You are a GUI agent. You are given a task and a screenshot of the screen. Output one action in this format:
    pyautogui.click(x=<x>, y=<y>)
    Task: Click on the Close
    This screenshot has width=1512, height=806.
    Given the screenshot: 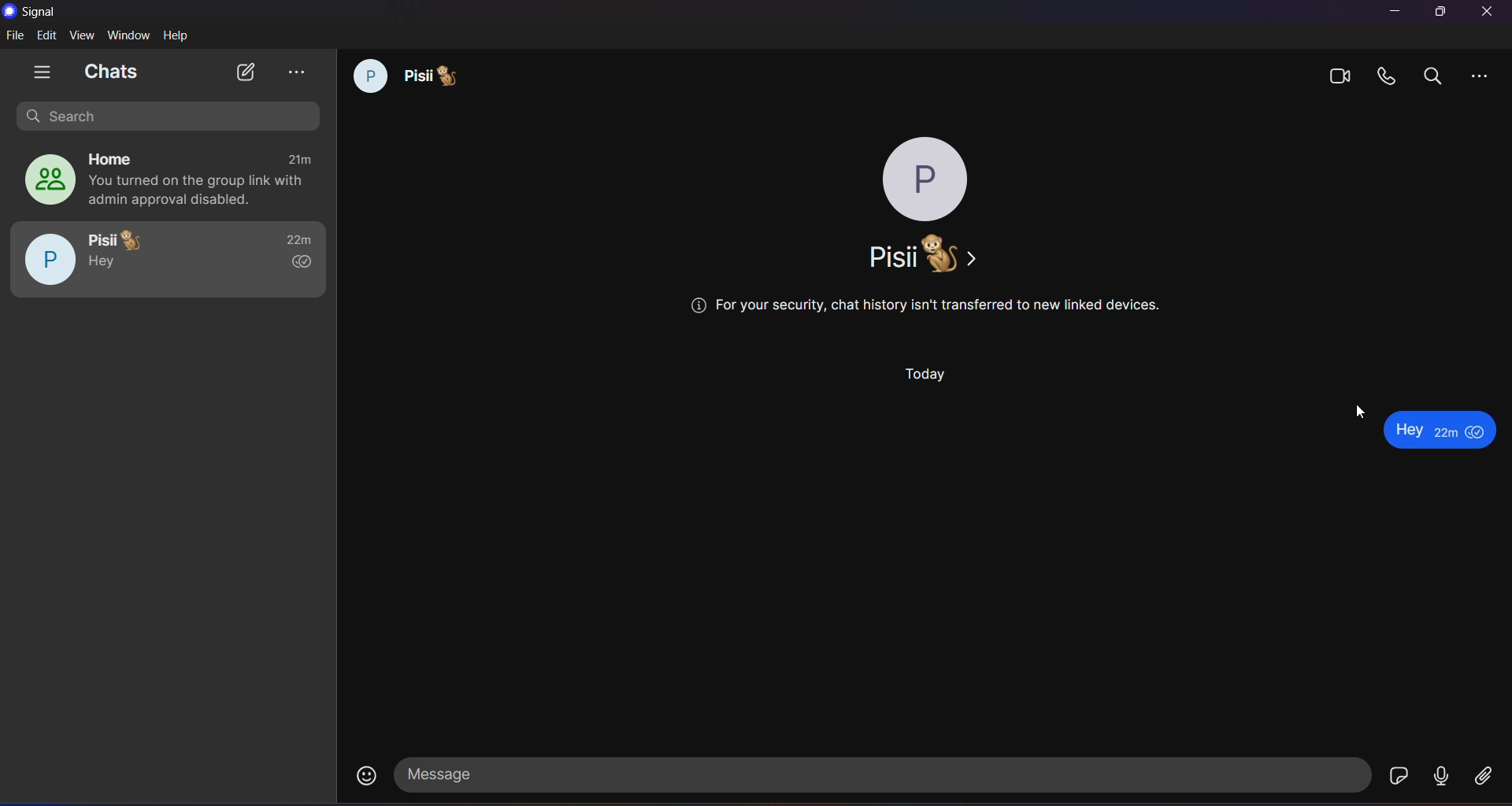 What is the action you would take?
    pyautogui.click(x=1488, y=15)
    